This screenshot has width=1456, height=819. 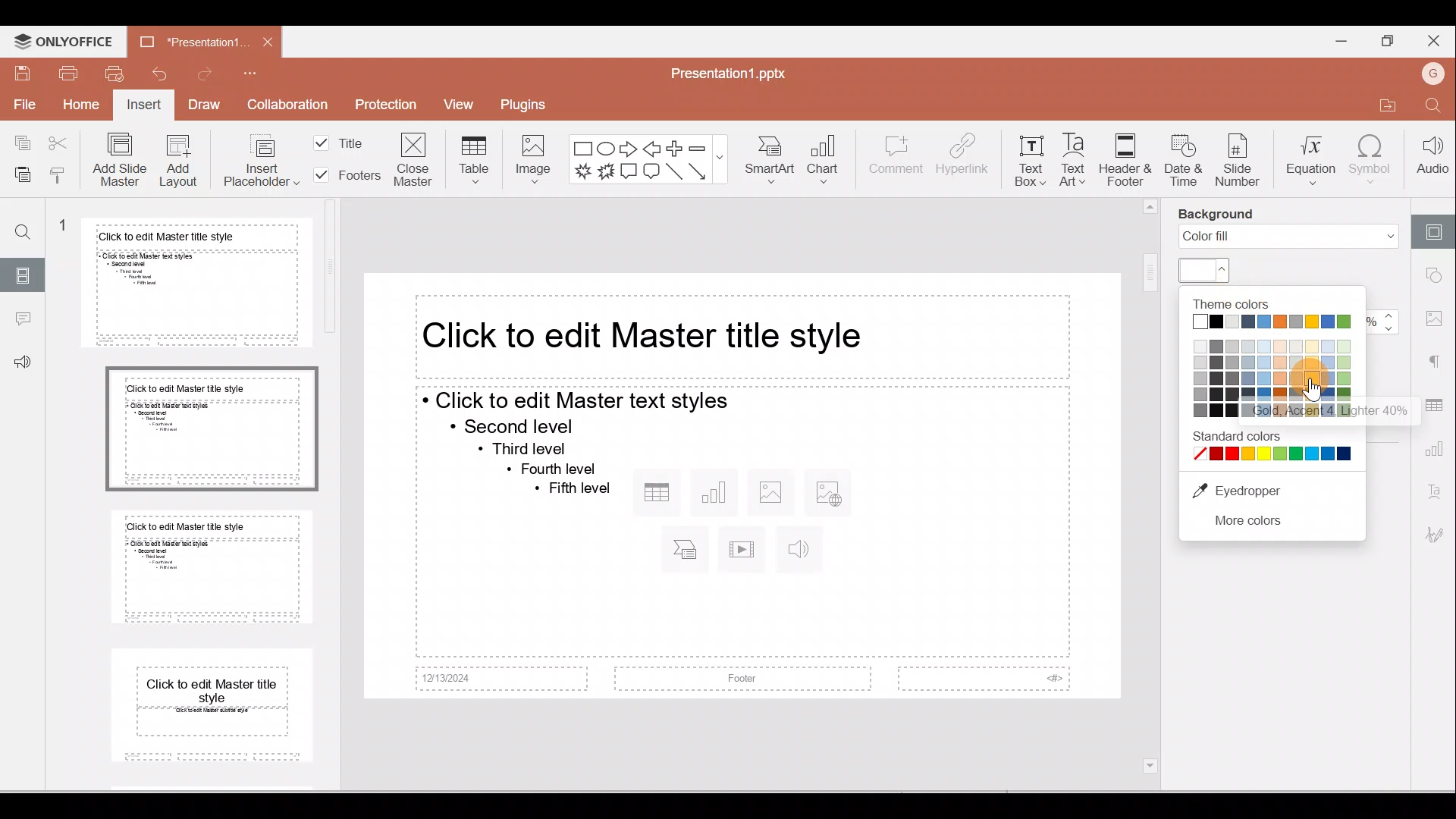 I want to click on Minimise, so click(x=1336, y=40).